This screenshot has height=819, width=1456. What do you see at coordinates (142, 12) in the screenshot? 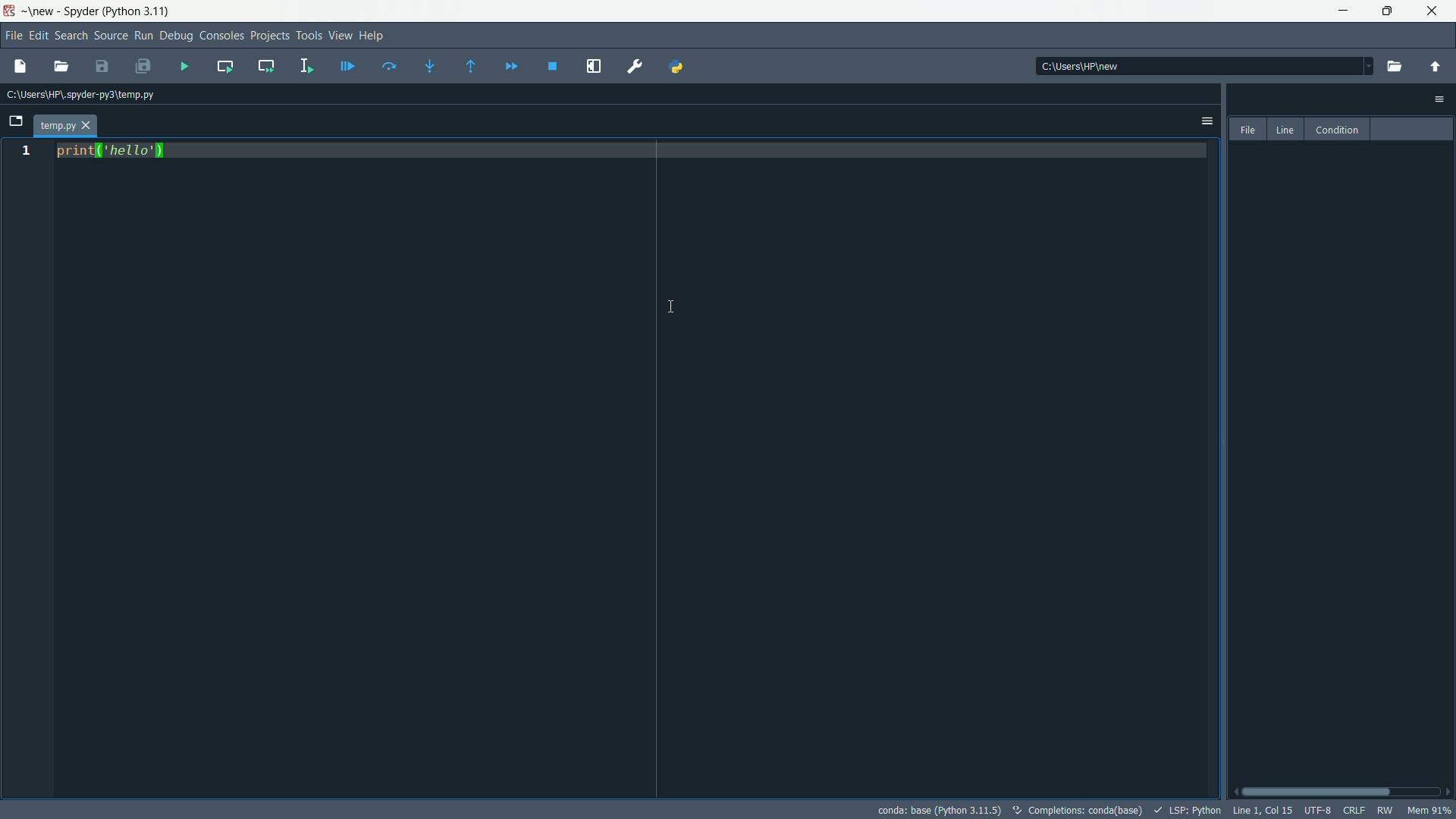
I see `python 3.22` at bounding box center [142, 12].